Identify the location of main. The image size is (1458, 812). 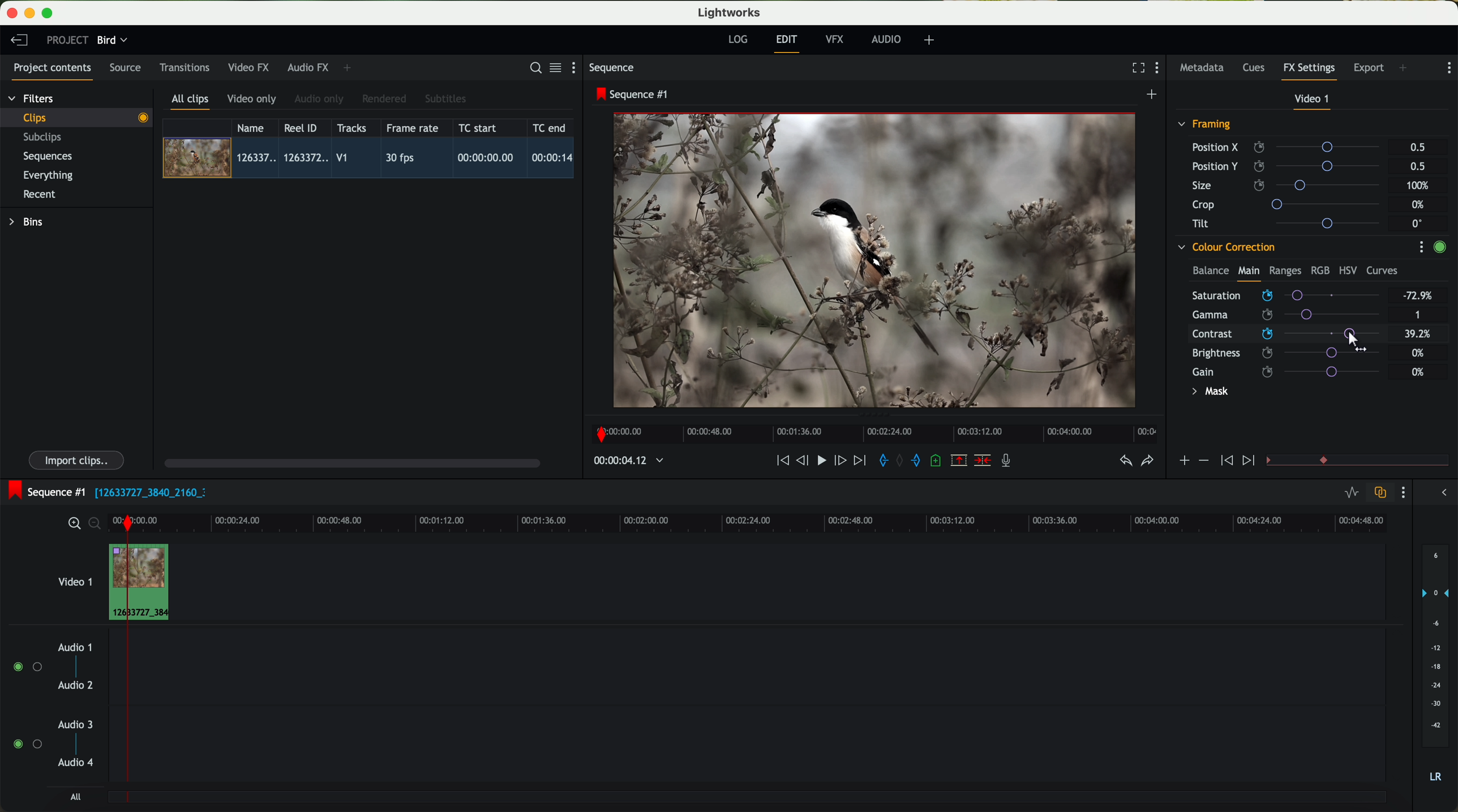
(1249, 273).